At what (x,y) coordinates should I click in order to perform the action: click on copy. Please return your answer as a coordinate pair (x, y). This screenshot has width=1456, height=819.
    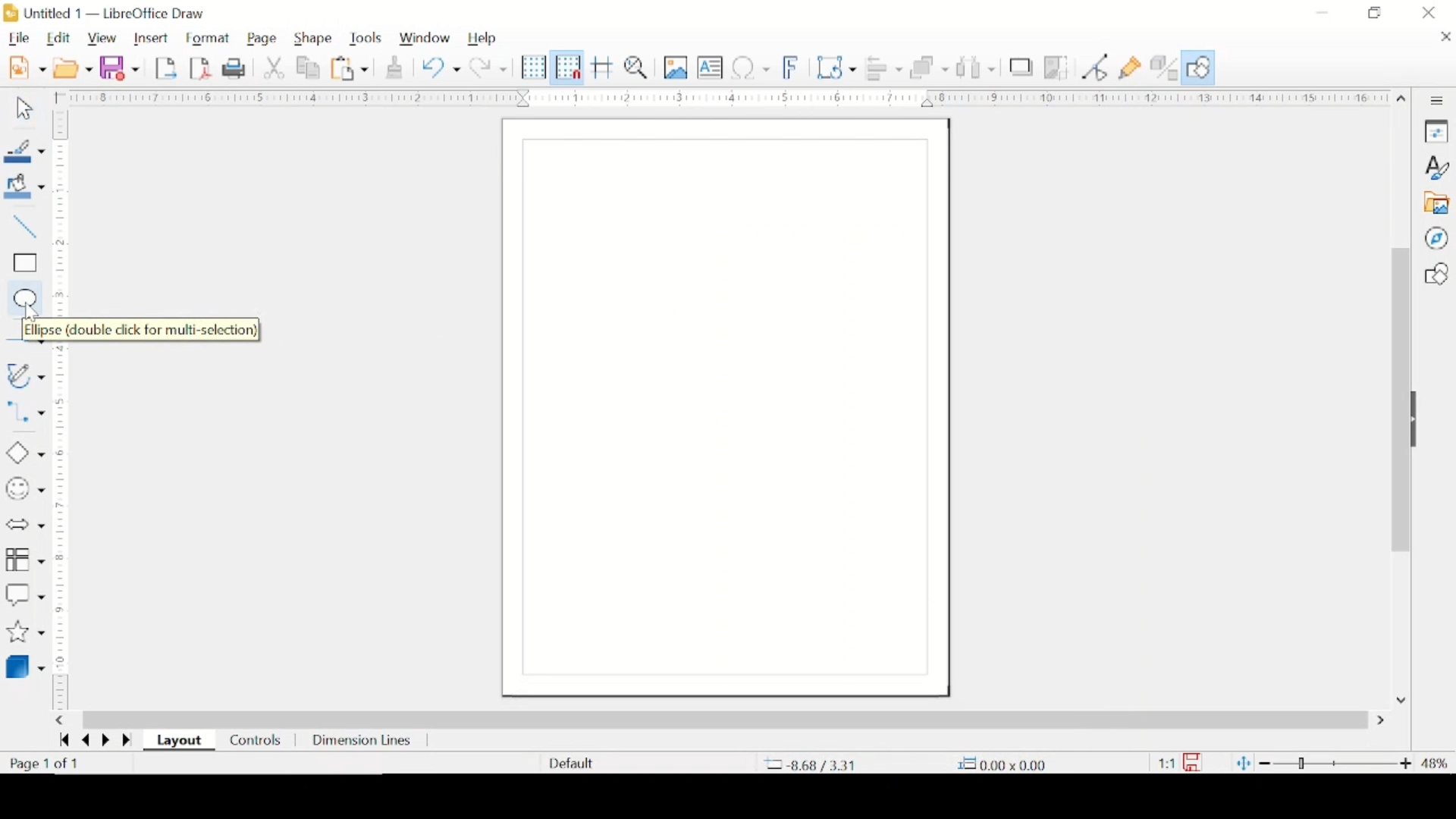
    Looking at the image, I should click on (309, 67).